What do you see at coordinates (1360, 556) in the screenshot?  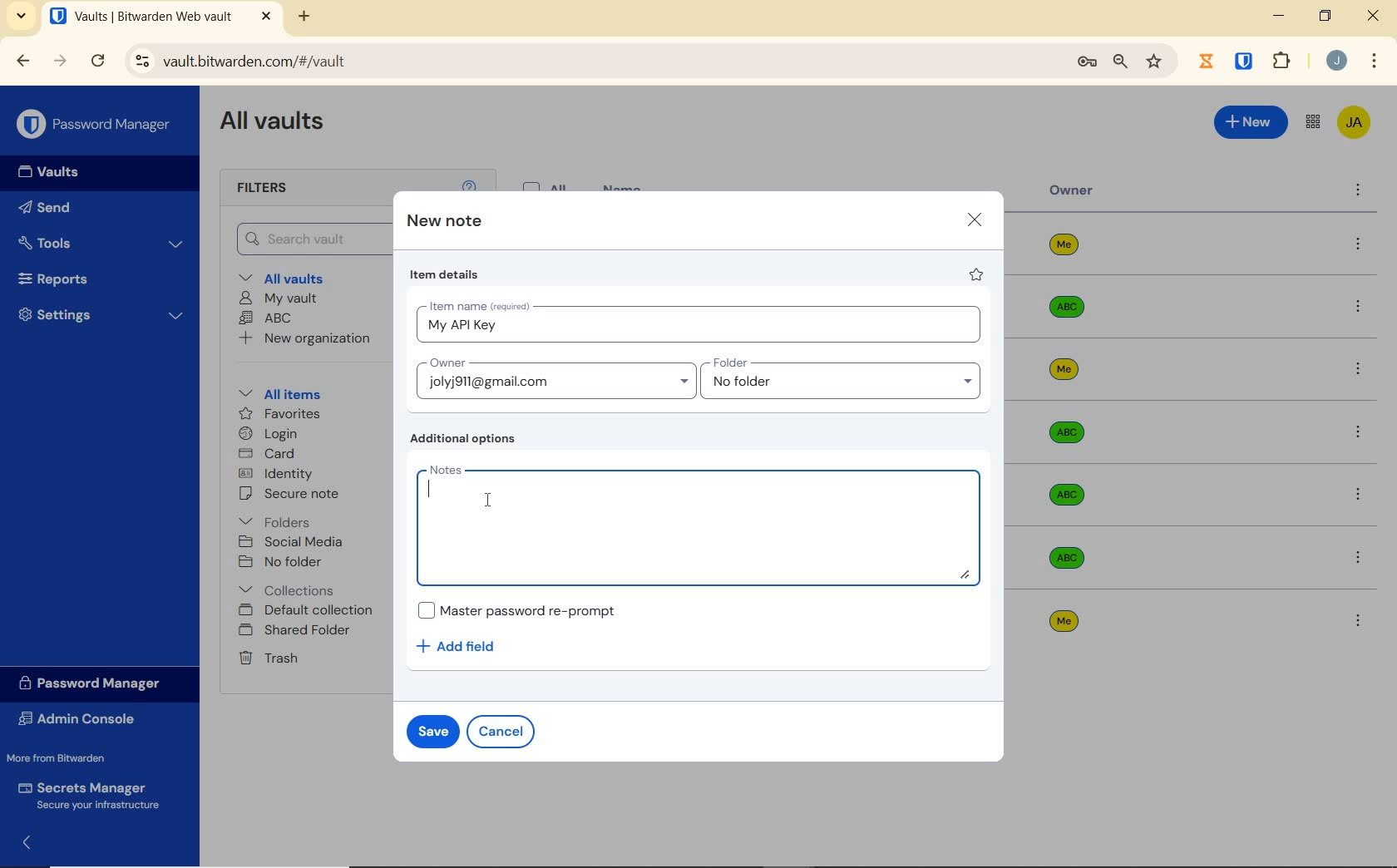 I see `more options` at bounding box center [1360, 556].